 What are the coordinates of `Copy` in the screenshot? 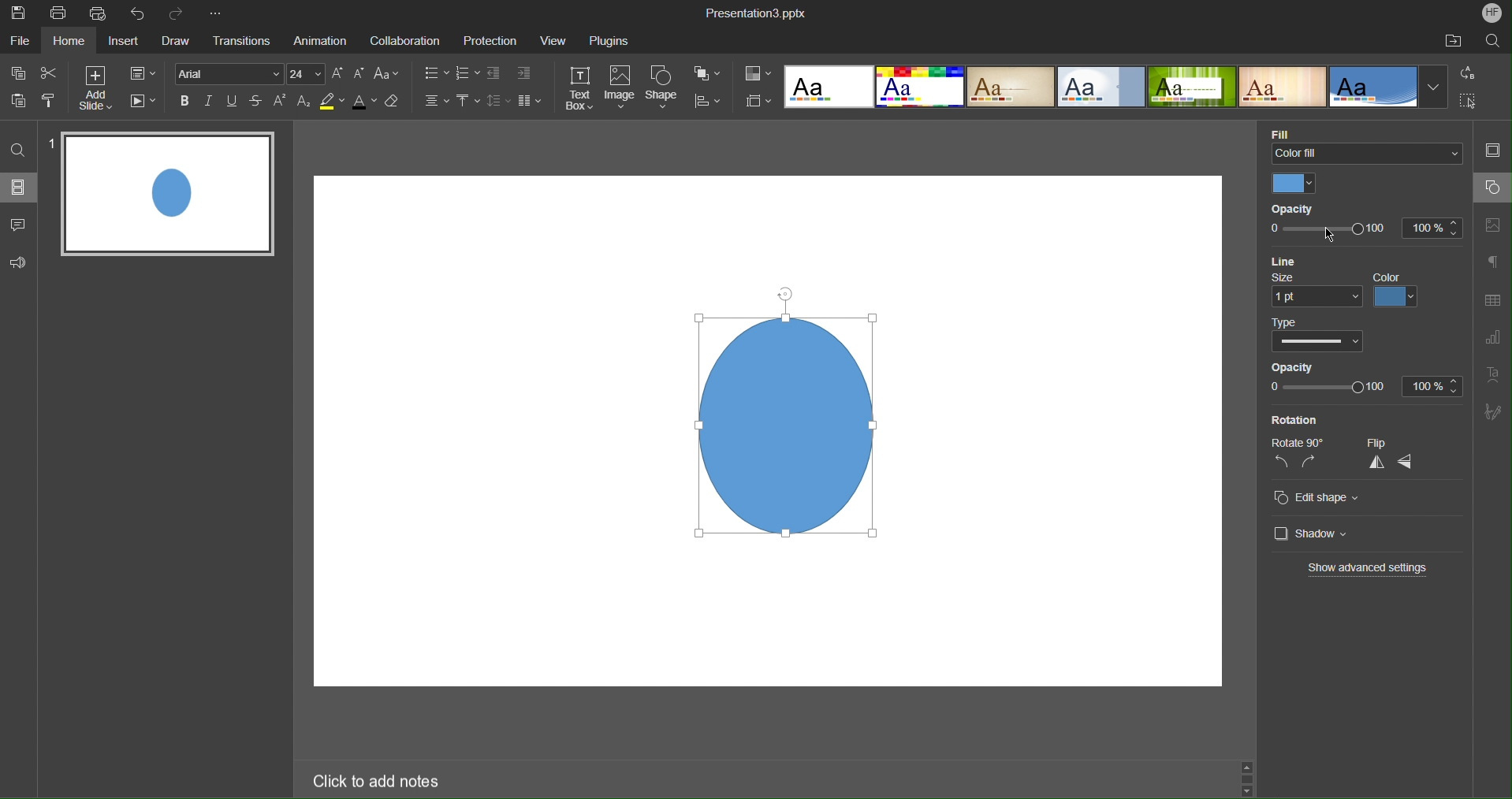 It's located at (19, 72).